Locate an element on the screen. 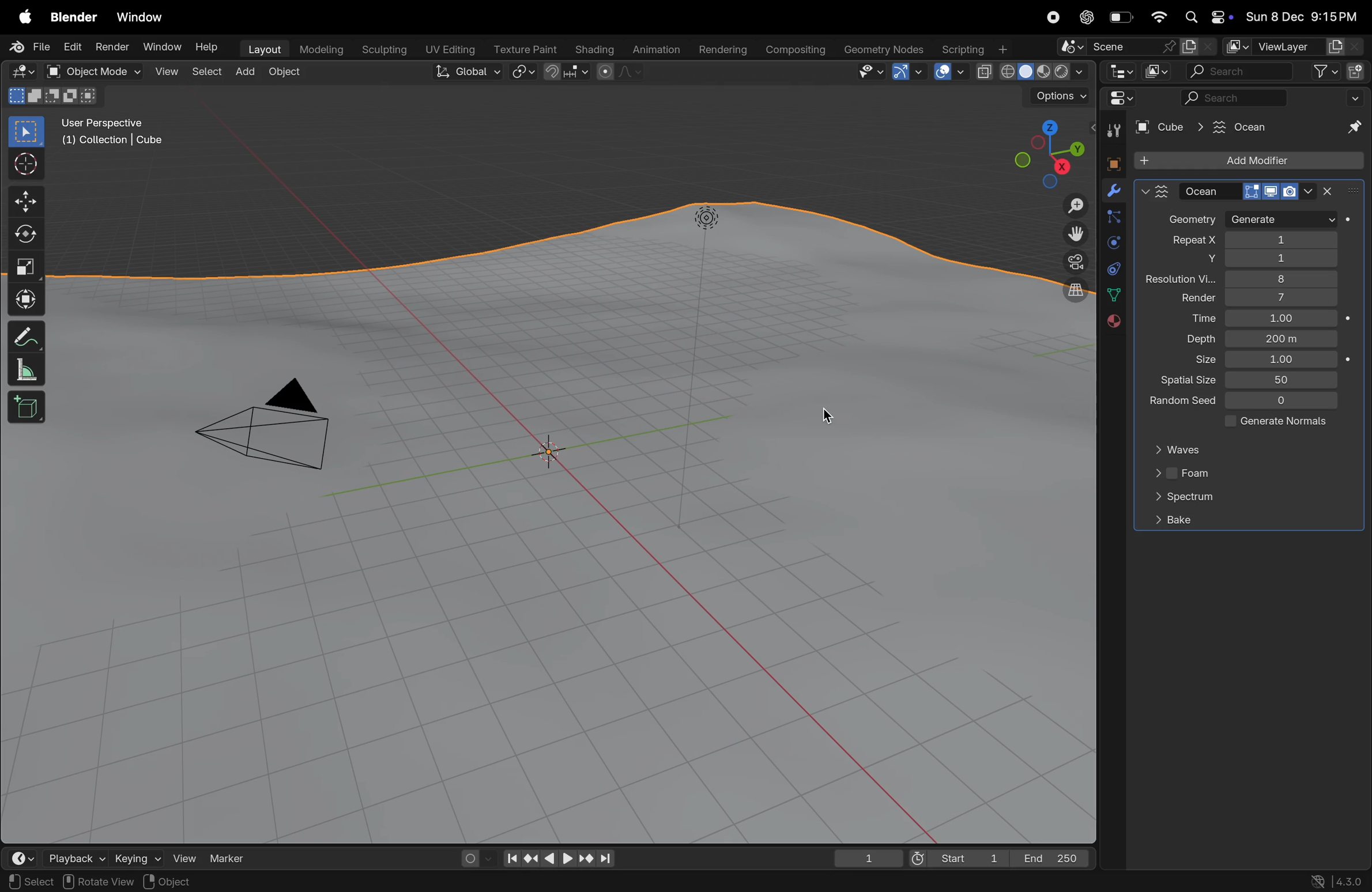  50 is located at coordinates (1284, 379).